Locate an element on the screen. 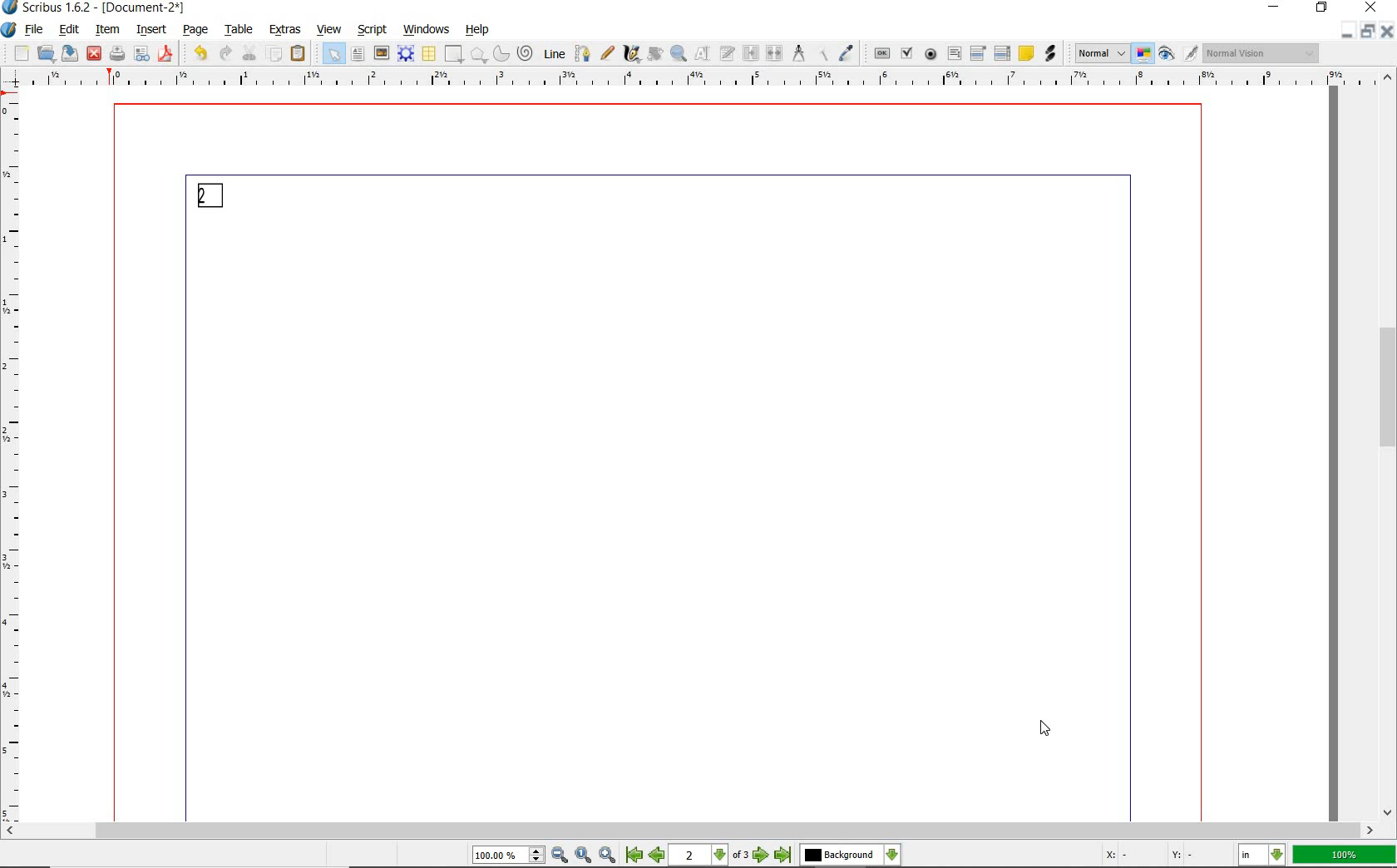 The image size is (1397, 868). edit is located at coordinates (68, 29).